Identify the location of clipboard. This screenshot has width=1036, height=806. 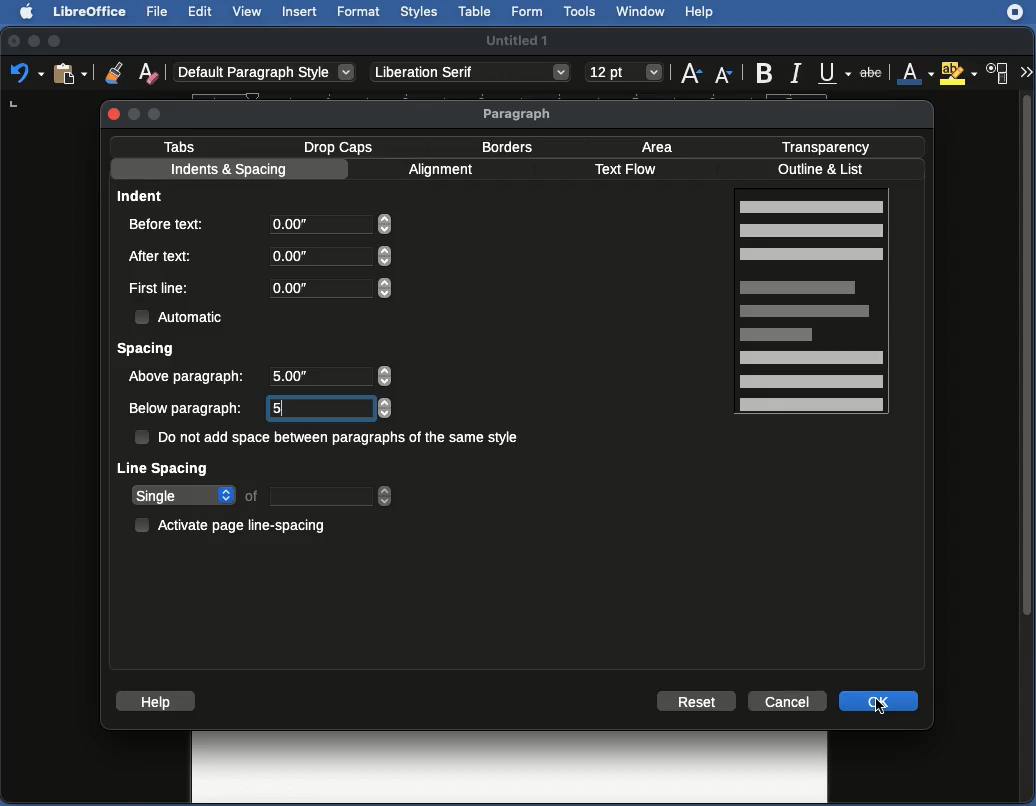
(69, 73).